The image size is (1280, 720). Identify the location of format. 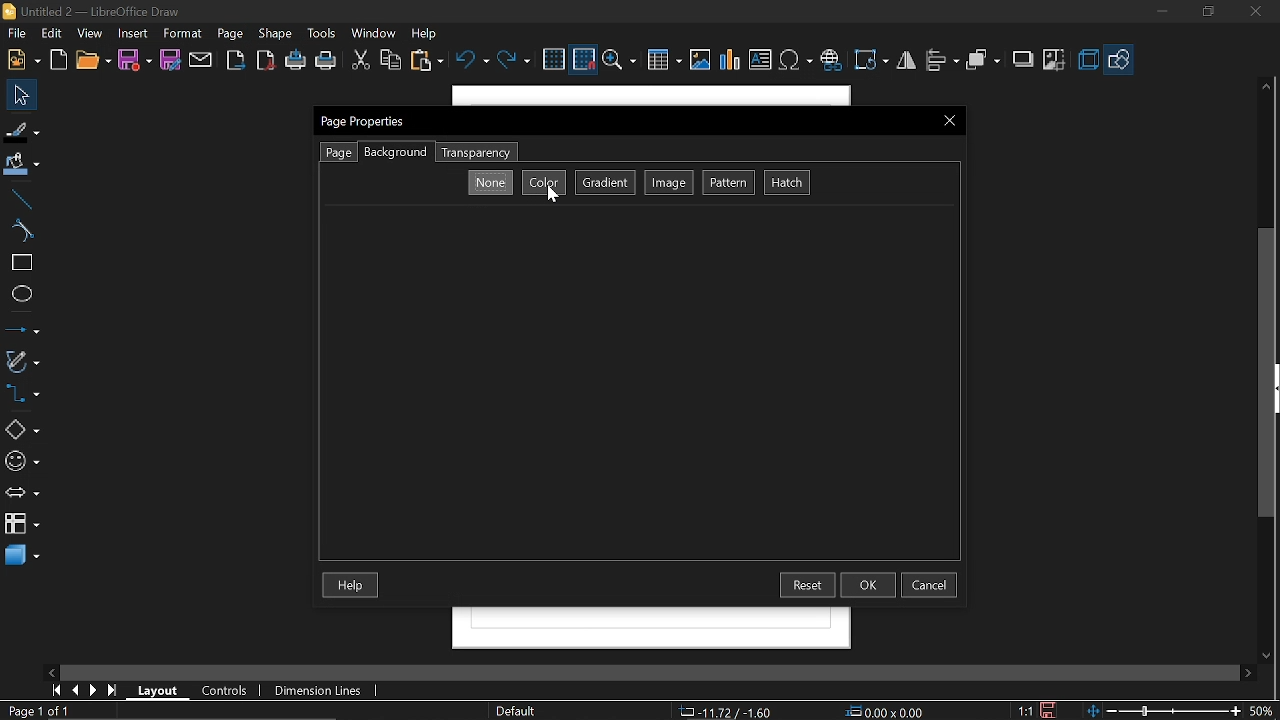
(184, 34).